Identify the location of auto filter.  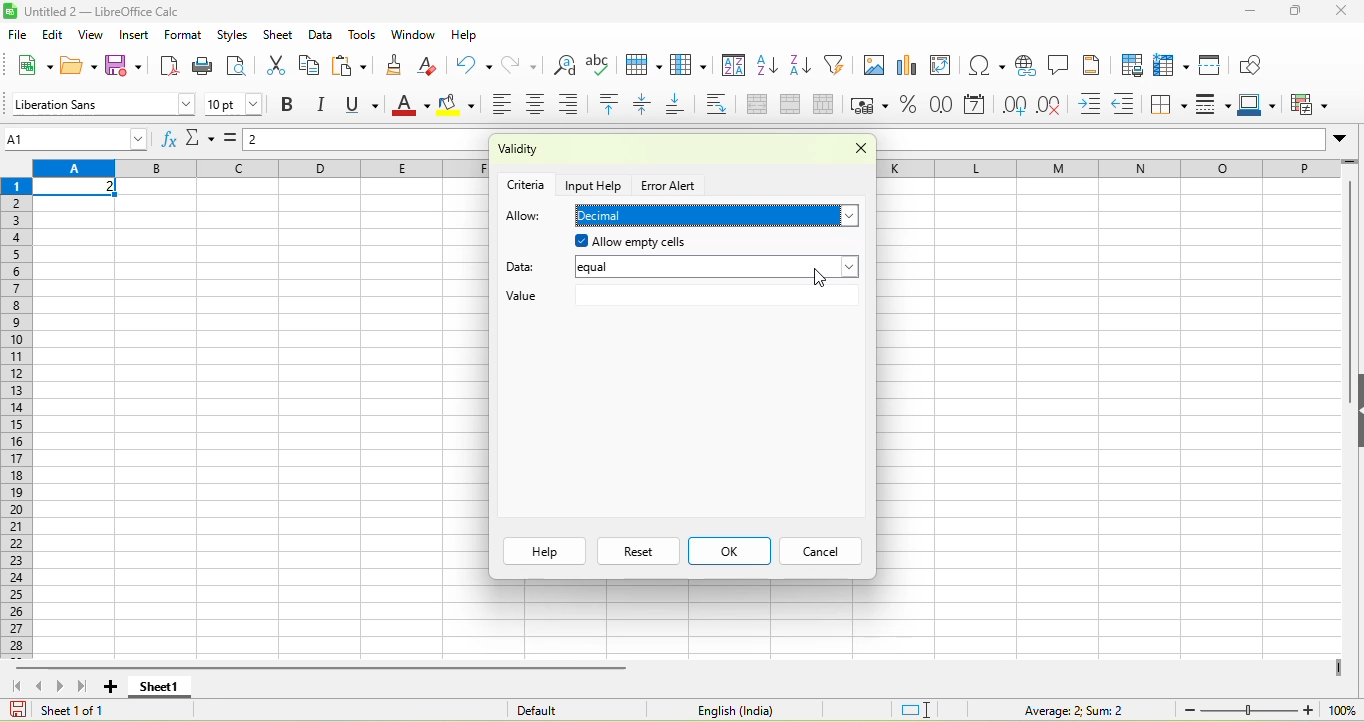
(838, 64).